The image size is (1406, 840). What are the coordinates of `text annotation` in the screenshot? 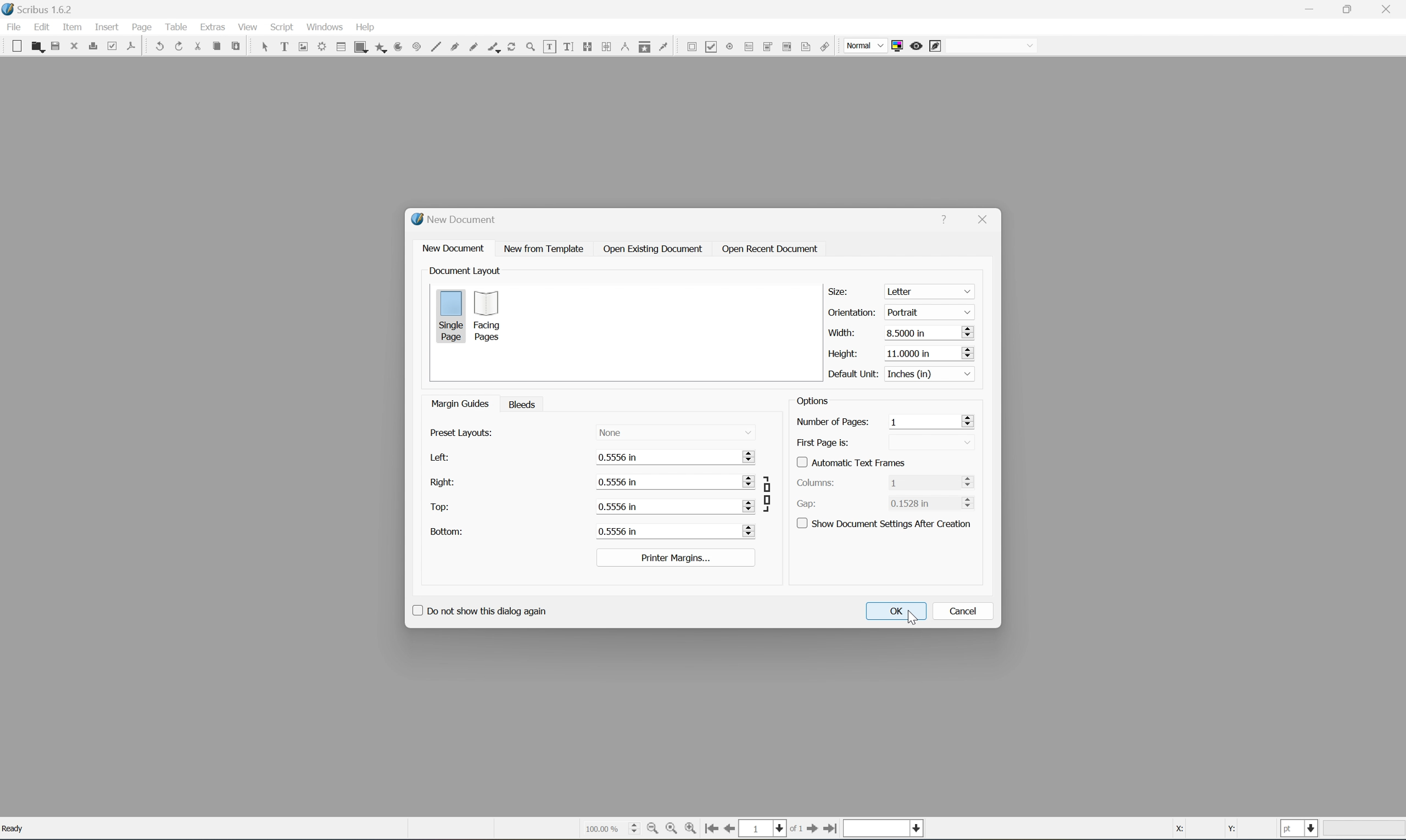 It's located at (806, 46).